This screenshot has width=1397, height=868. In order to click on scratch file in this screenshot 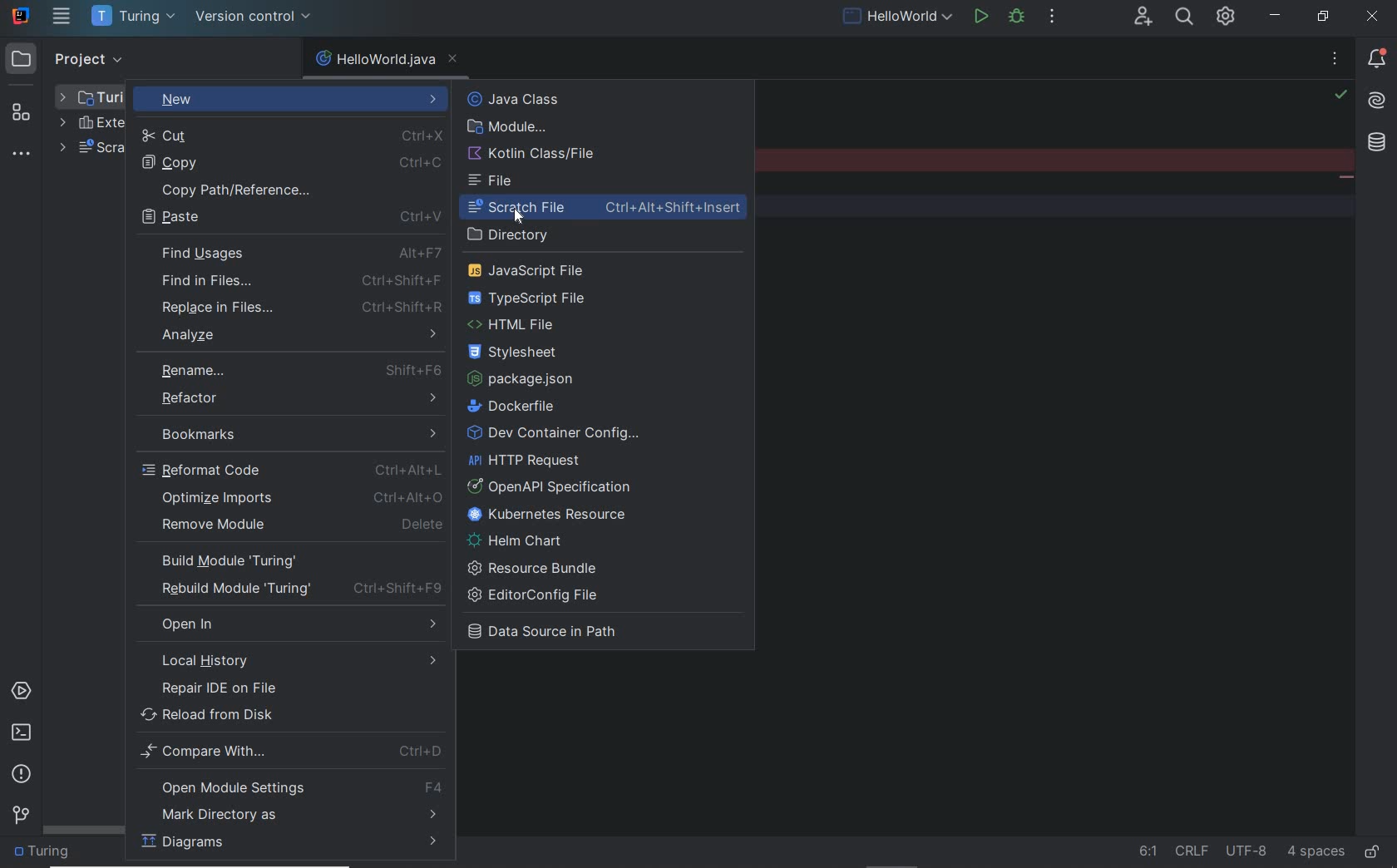, I will do `click(609, 209)`.